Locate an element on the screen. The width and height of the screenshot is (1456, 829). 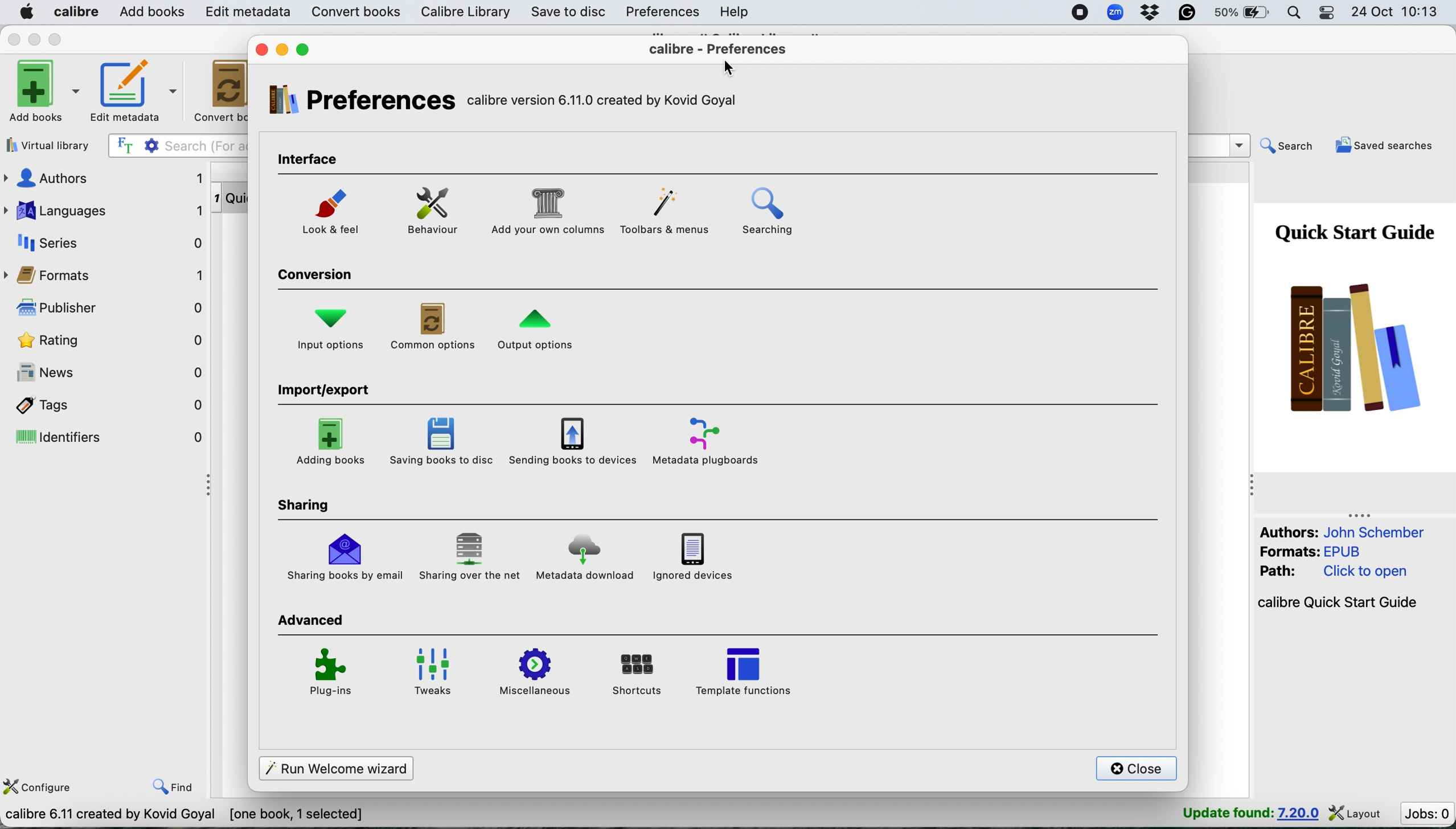
collapse is located at coordinates (1253, 486).